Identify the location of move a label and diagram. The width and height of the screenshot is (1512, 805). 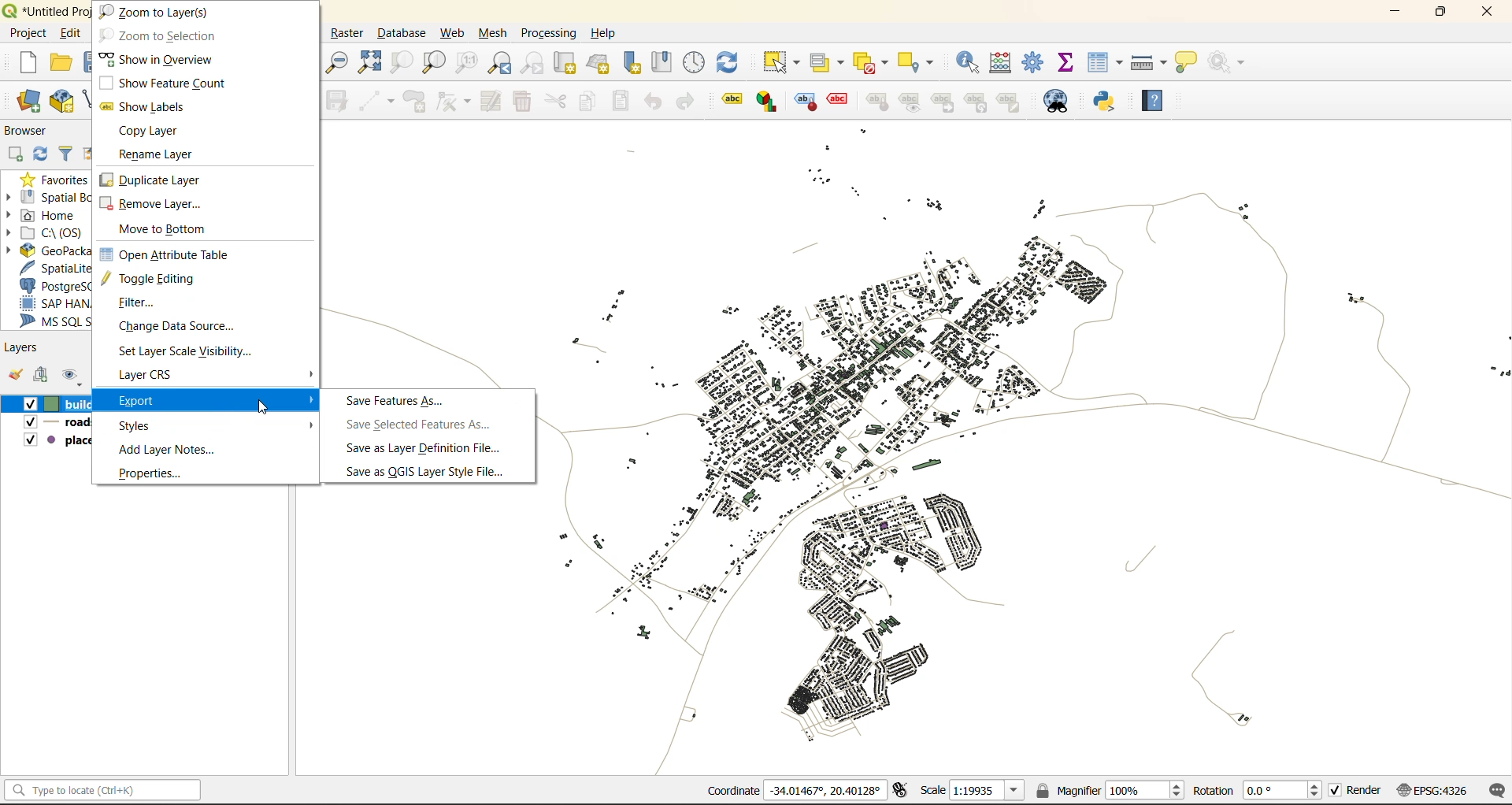
(939, 103).